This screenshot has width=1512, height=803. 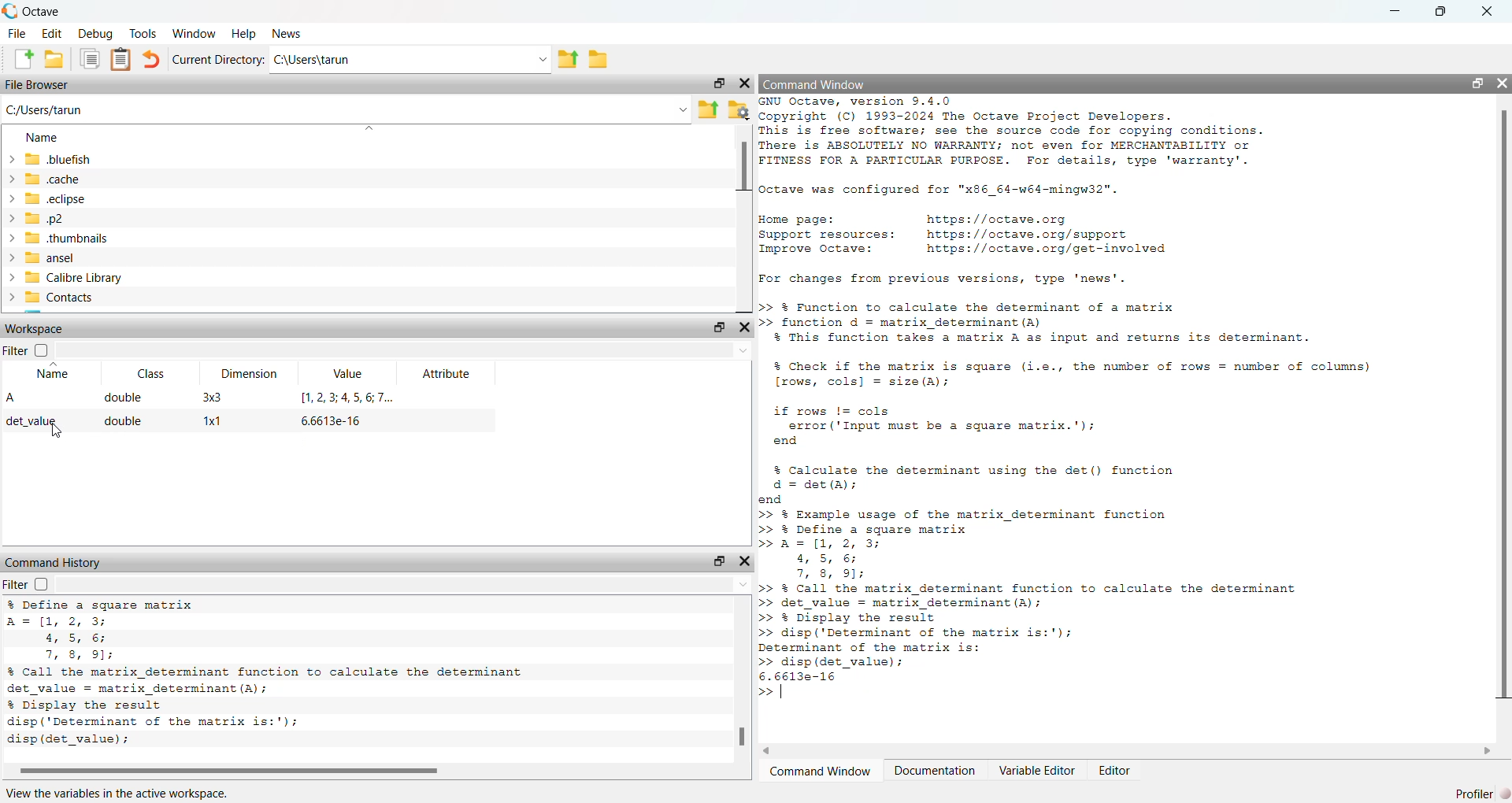 I want to click on scrollbar , so click(x=740, y=686).